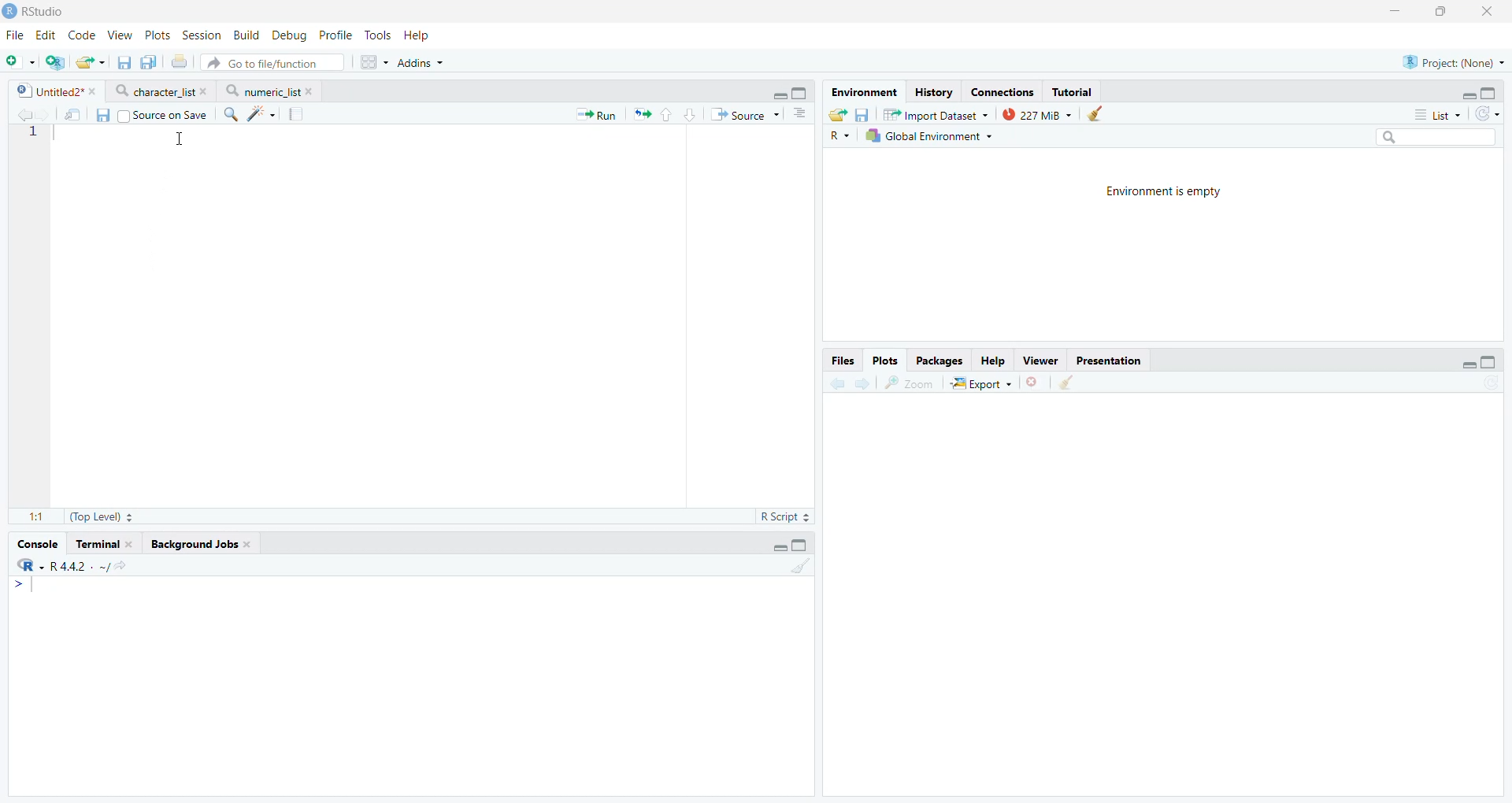 This screenshot has height=803, width=1512. Describe the element at coordinates (801, 113) in the screenshot. I see `Show document outline` at that location.